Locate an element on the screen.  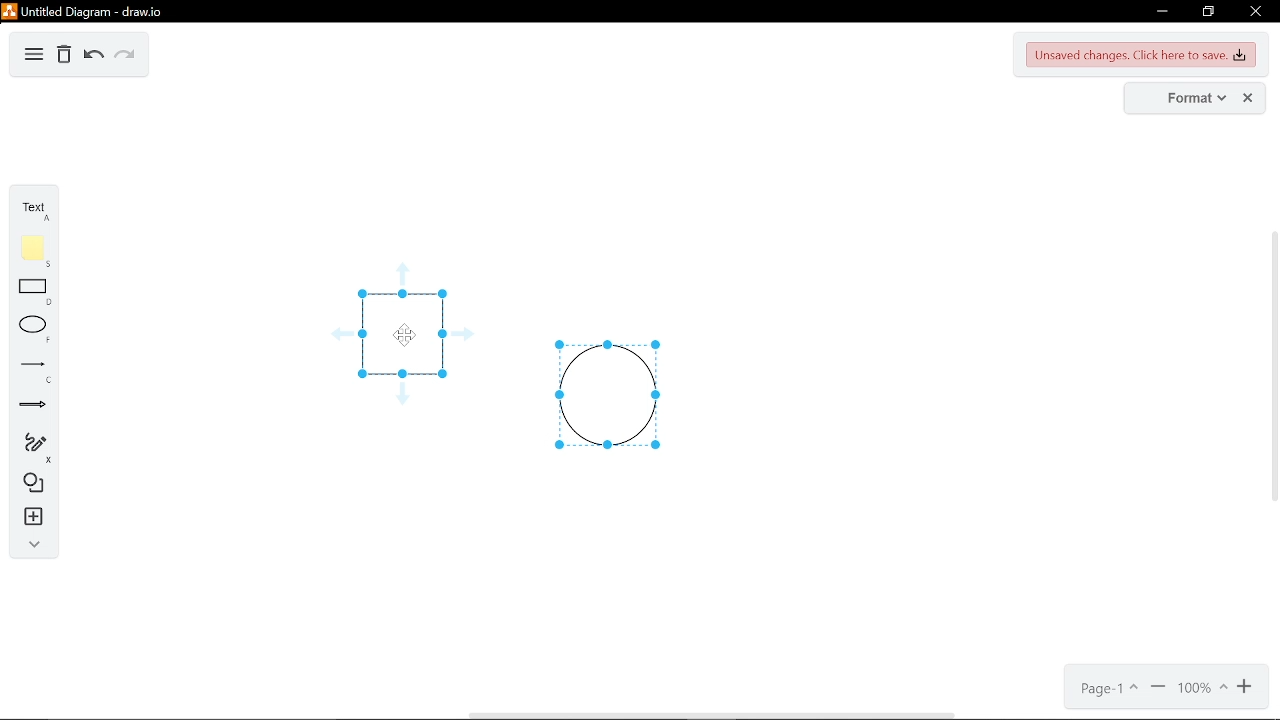
guide arrow is located at coordinates (403, 394).